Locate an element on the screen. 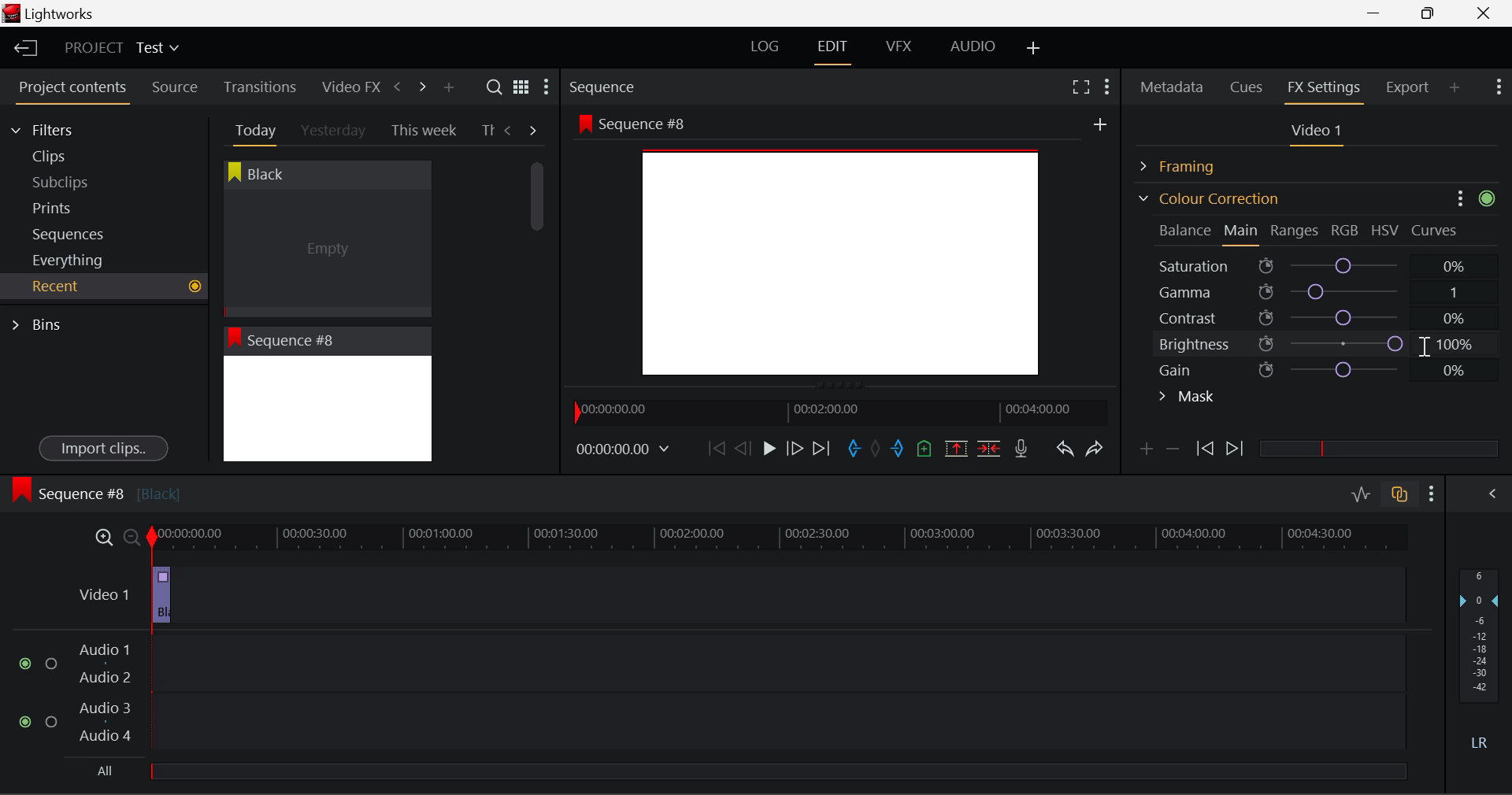 This screenshot has height=795, width=1512. Main Tab Open is located at coordinates (1242, 232).